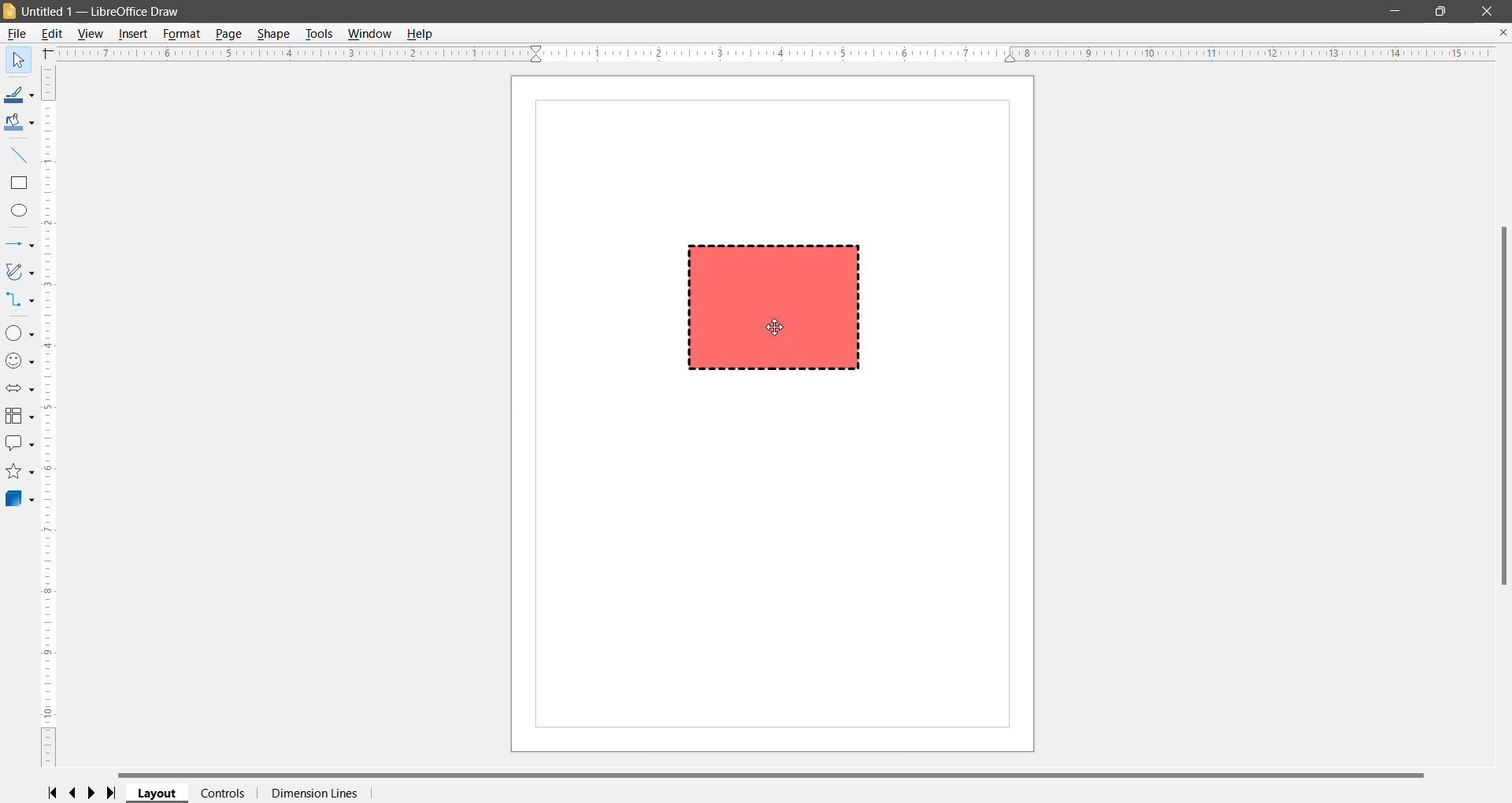 The width and height of the screenshot is (1512, 803). What do you see at coordinates (319, 34) in the screenshot?
I see `Tools` at bounding box center [319, 34].